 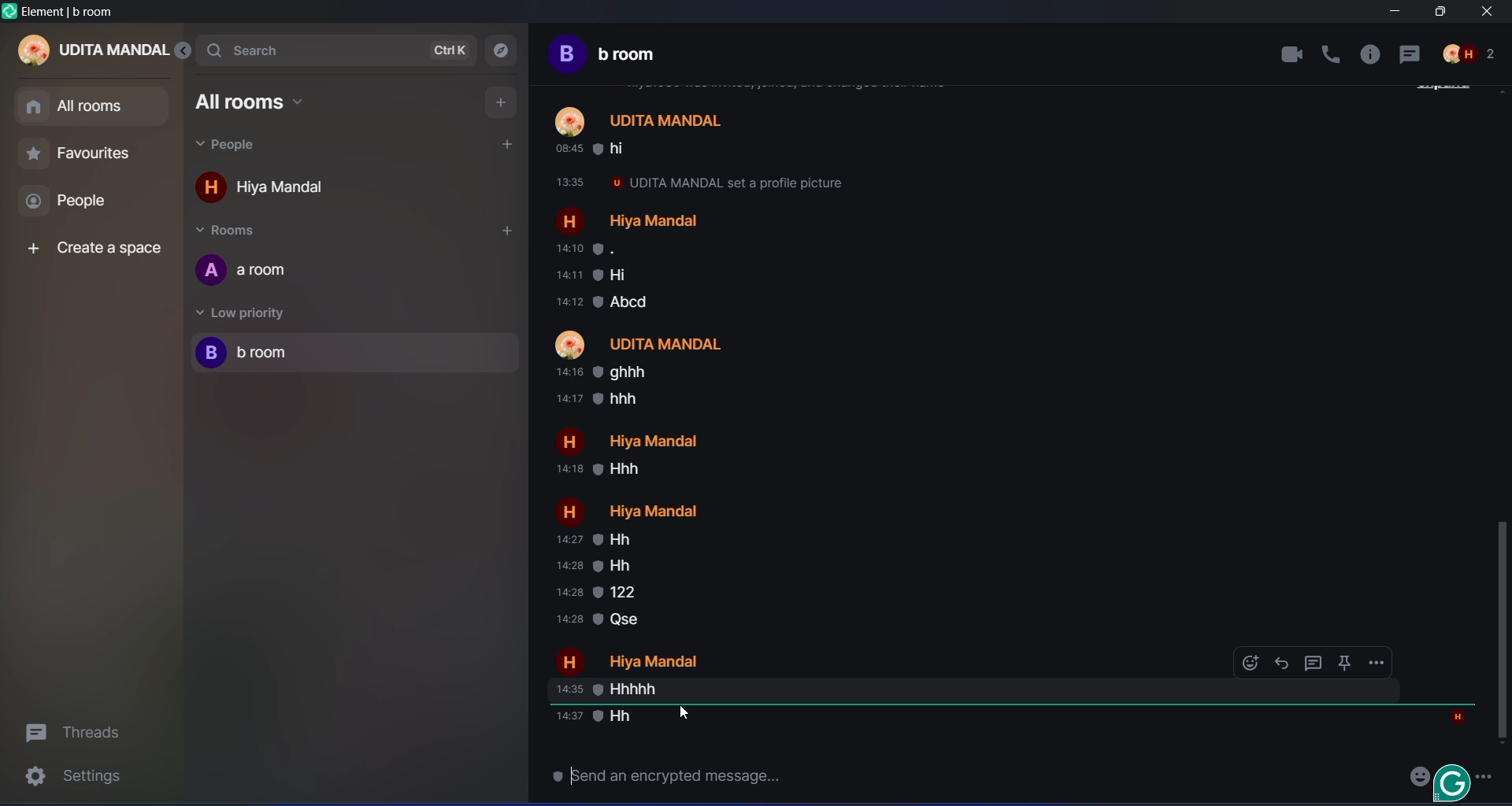 What do you see at coordinates (610, 57) in the screenshot?
I see `a room` at bounding box center [610, 57].